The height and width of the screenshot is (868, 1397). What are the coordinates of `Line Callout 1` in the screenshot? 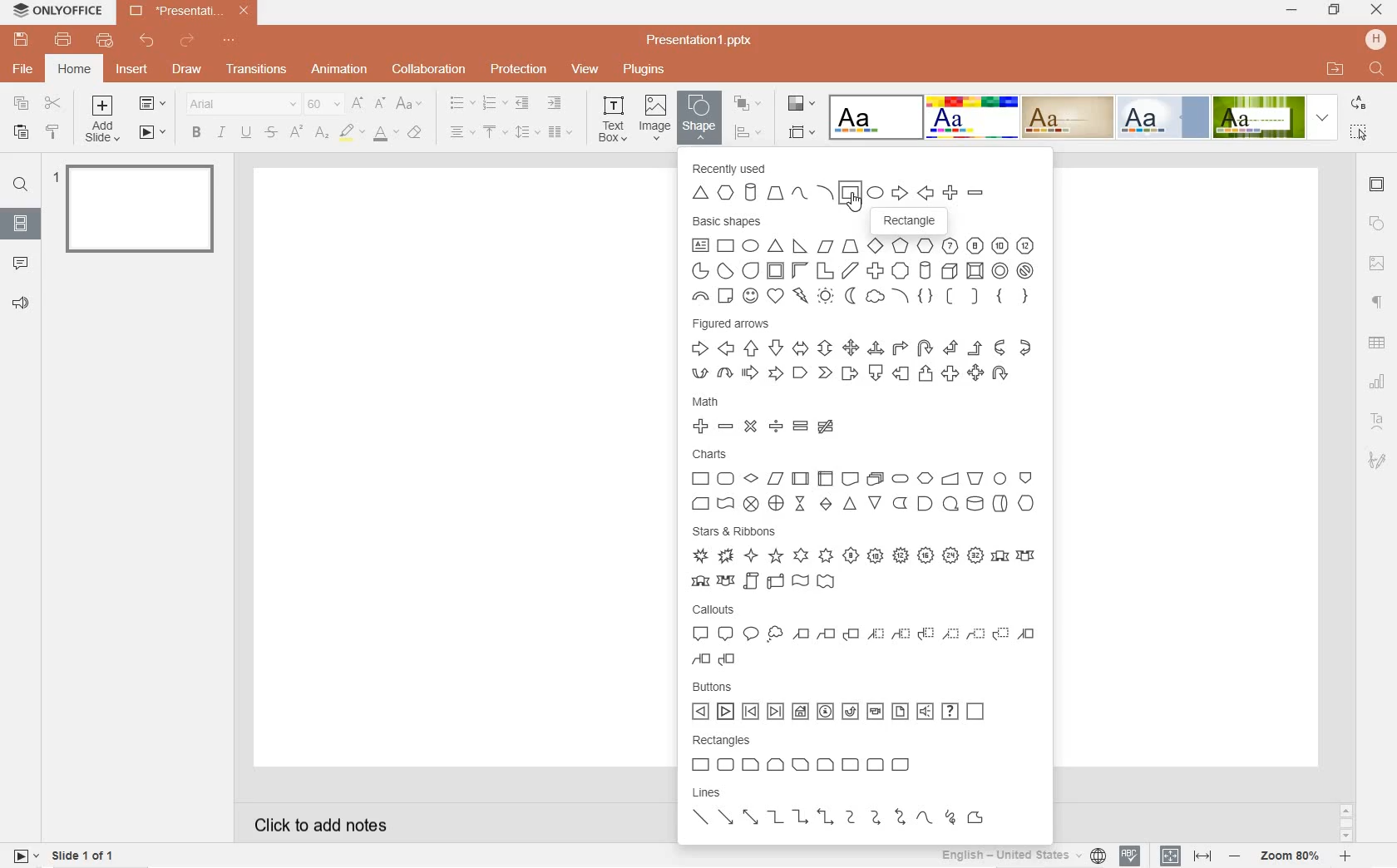 It's located at (800, 635).